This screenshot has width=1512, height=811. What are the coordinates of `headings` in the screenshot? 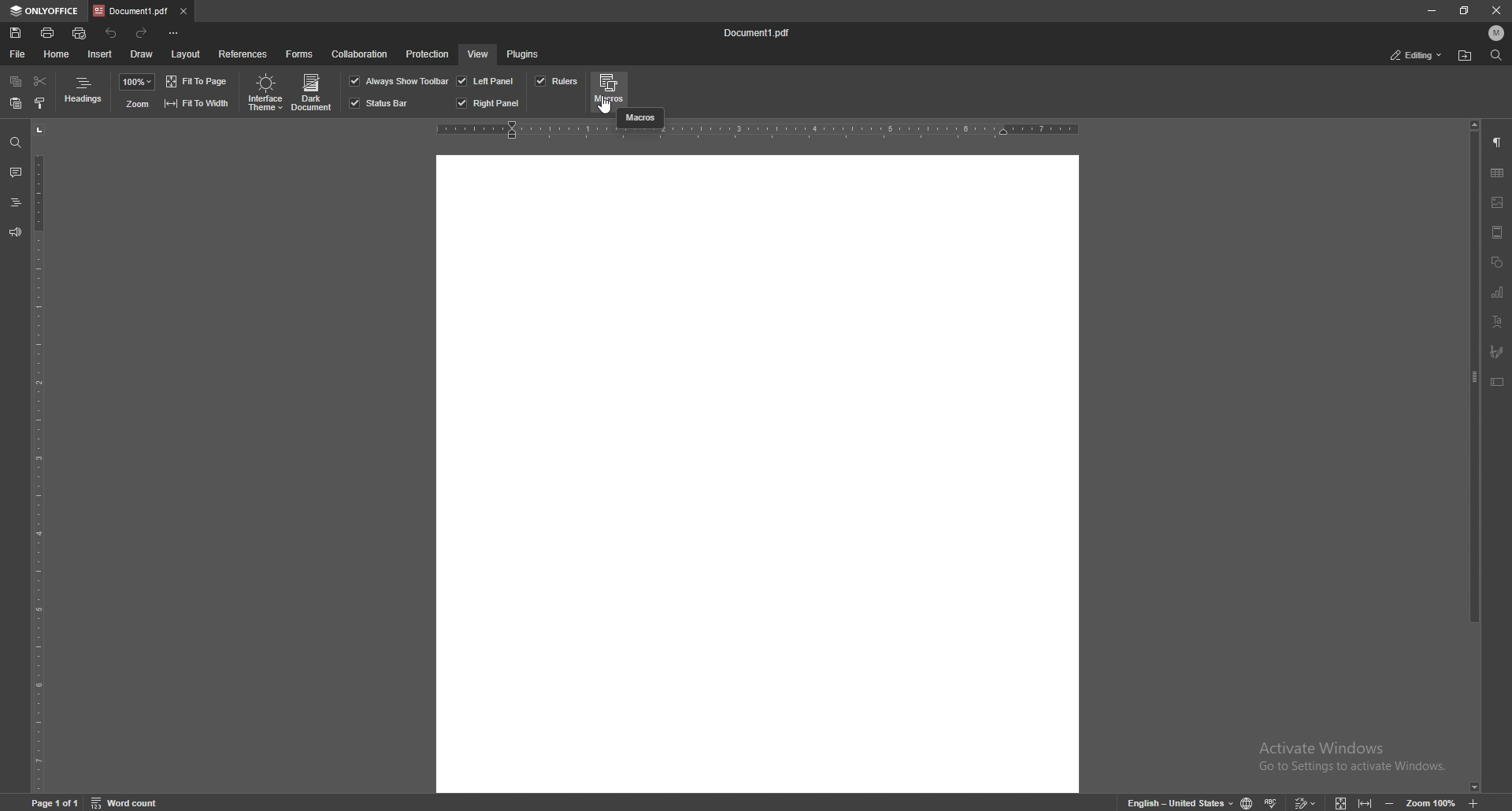 It's located at (84, 93).